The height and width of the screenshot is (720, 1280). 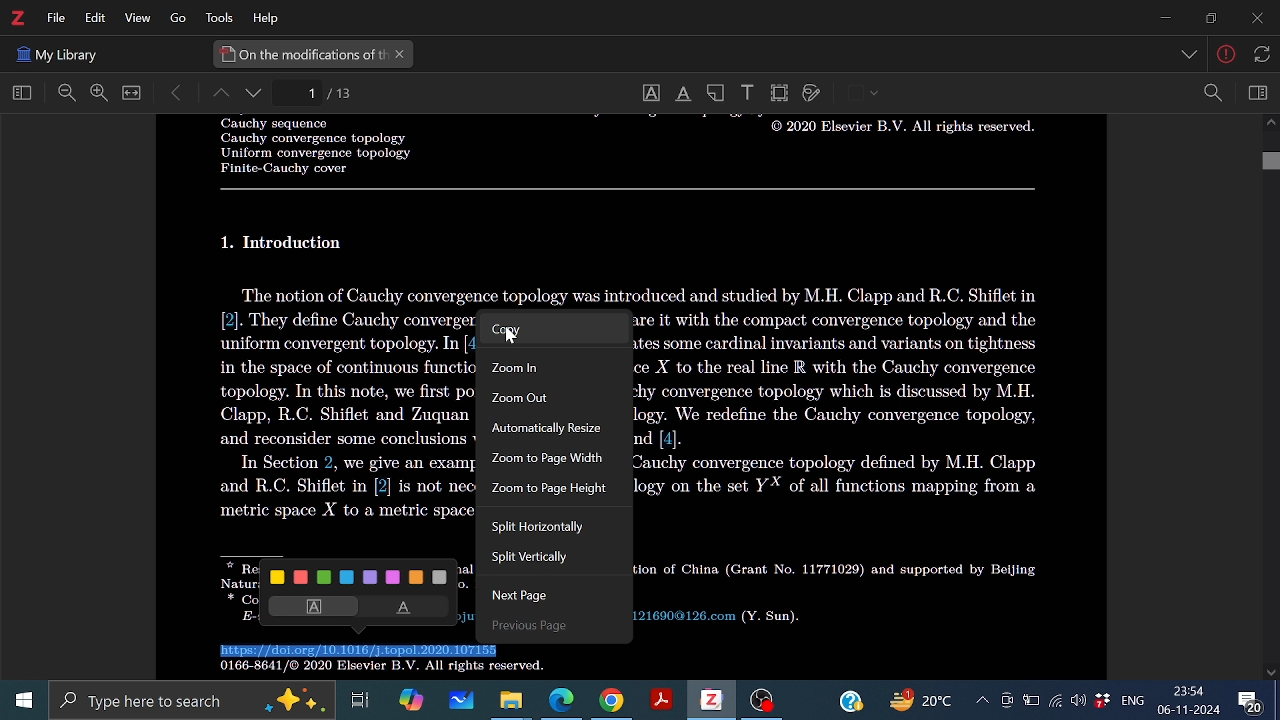 What do you see at coordinates (562, 701) in the screenshot?
I see `Microsoft edge` at bounding box center [562, 701].